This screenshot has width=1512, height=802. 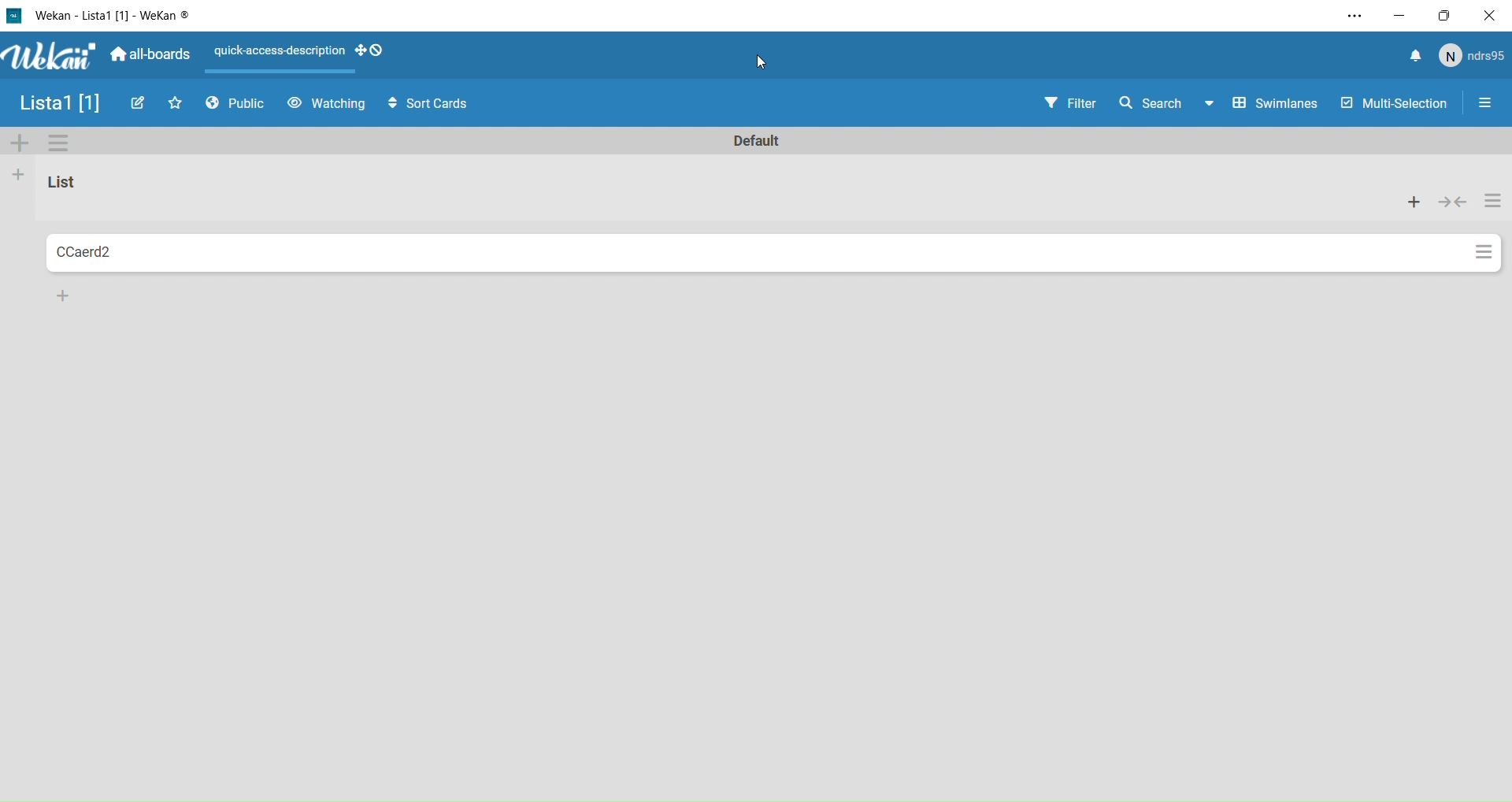 I want to click on Boards, so click(x=150, y=58).